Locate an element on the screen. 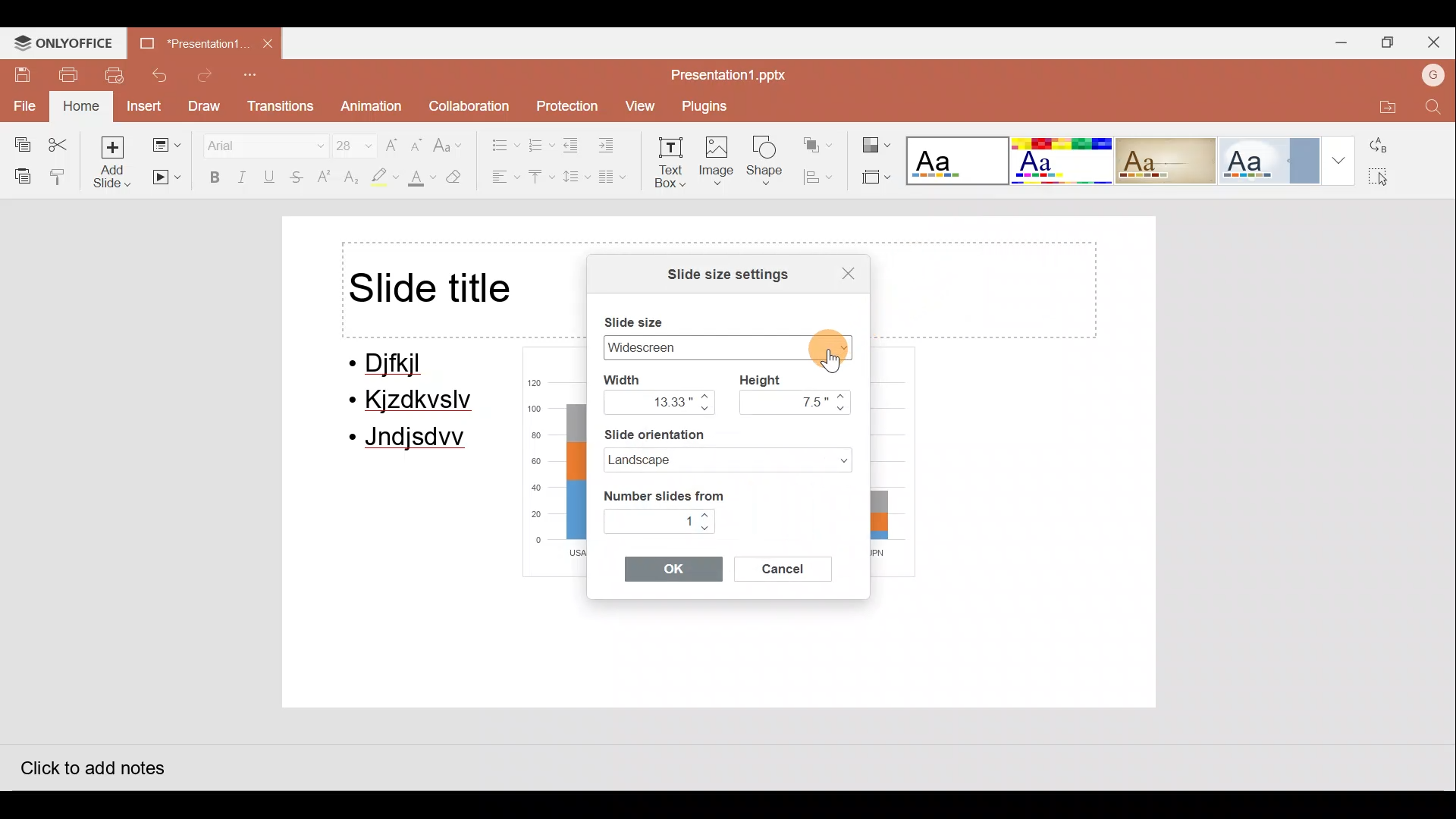  Redo is located at coordinates (206, 76).